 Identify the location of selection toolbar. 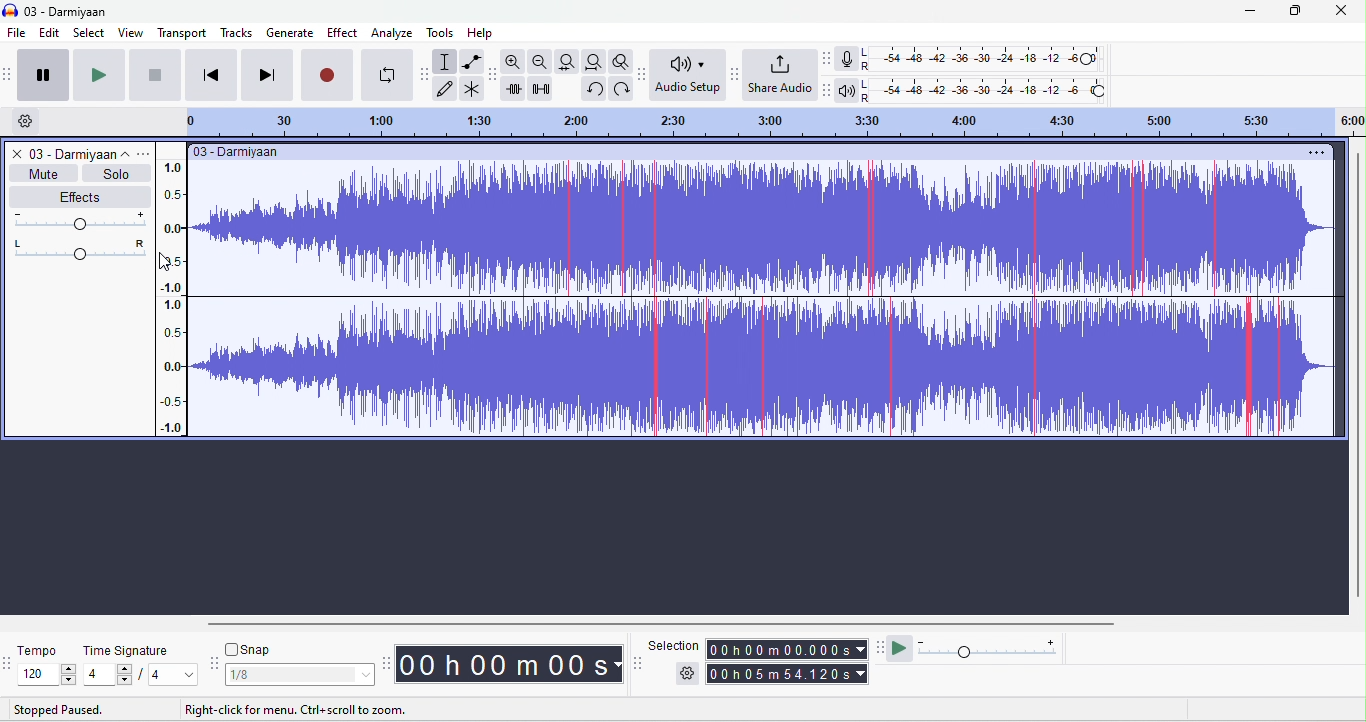
(639, 664).